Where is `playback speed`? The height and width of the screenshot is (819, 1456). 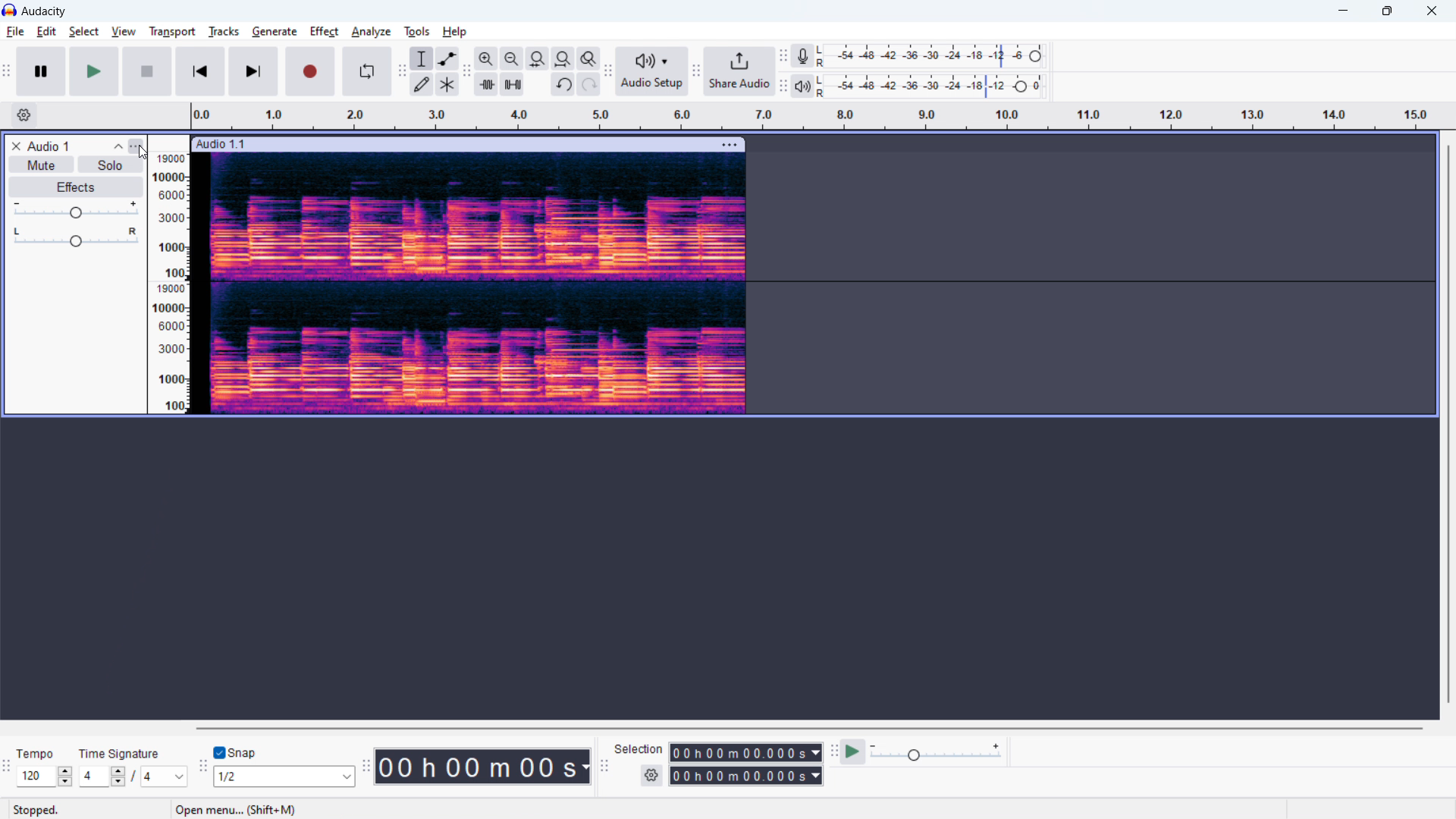
playback speed is located at coordinates (937, 752).